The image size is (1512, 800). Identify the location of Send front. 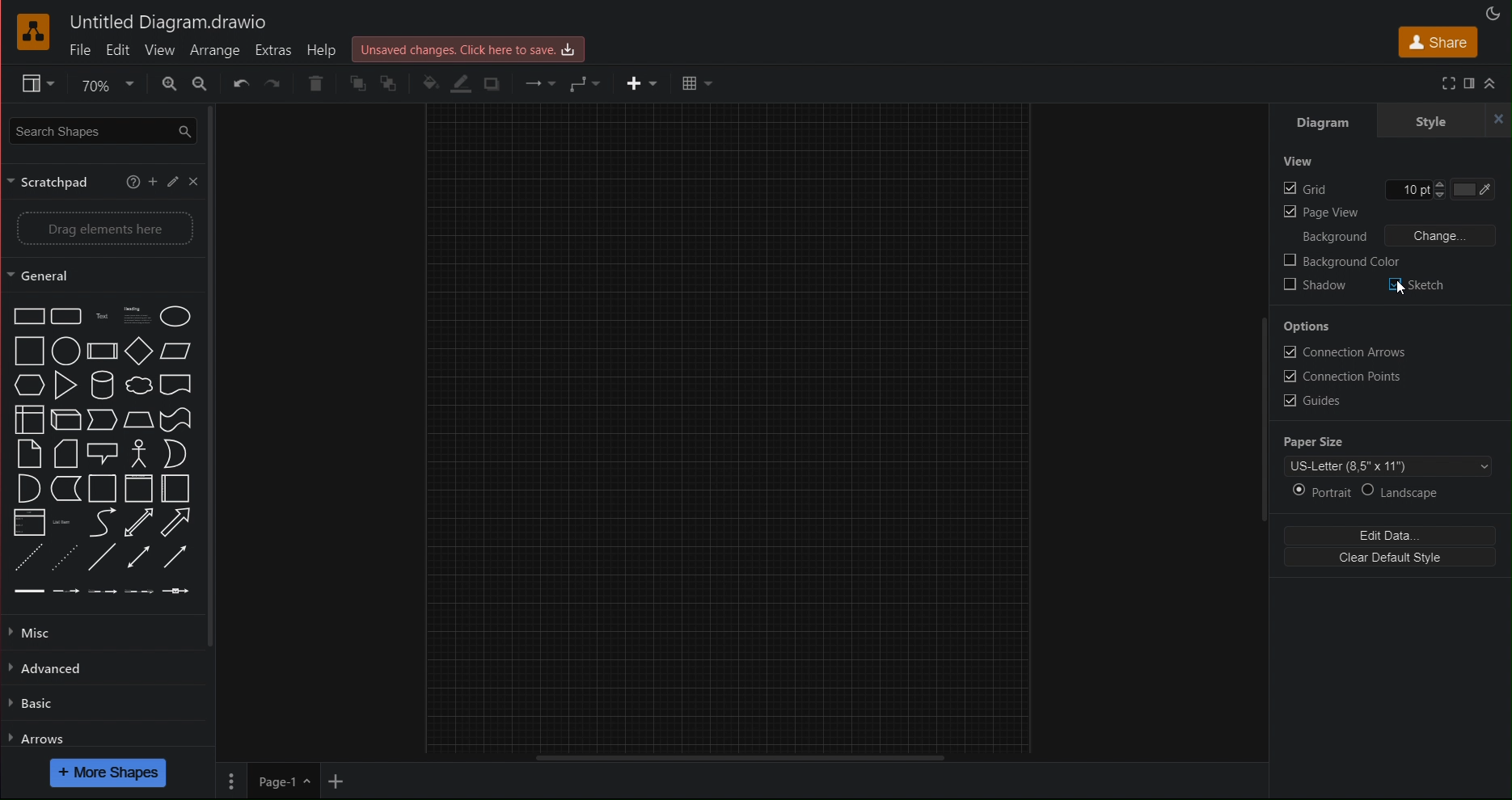
(356, 83).